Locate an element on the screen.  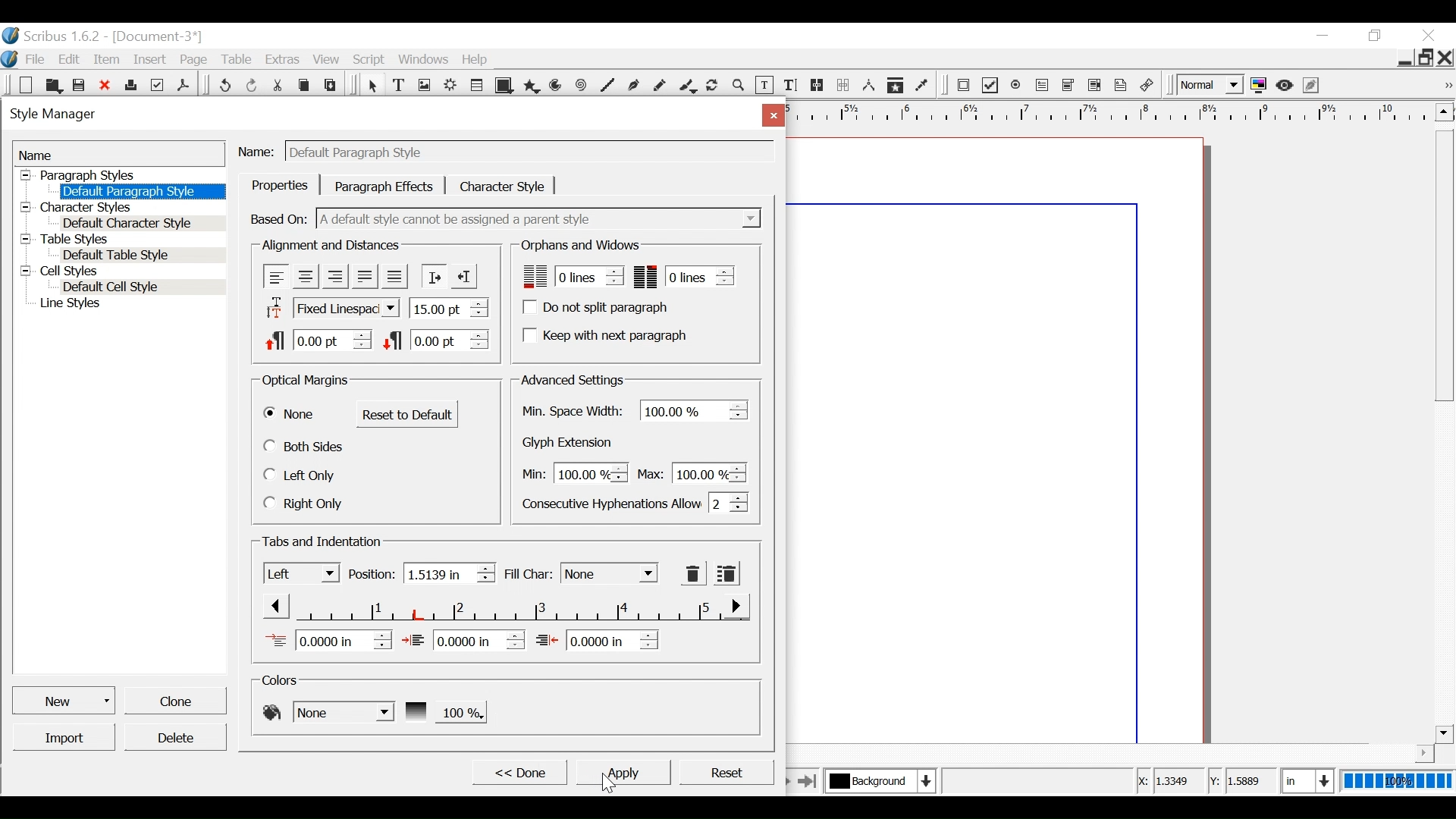
(un)select Right only is located at coordinates (303, 503).